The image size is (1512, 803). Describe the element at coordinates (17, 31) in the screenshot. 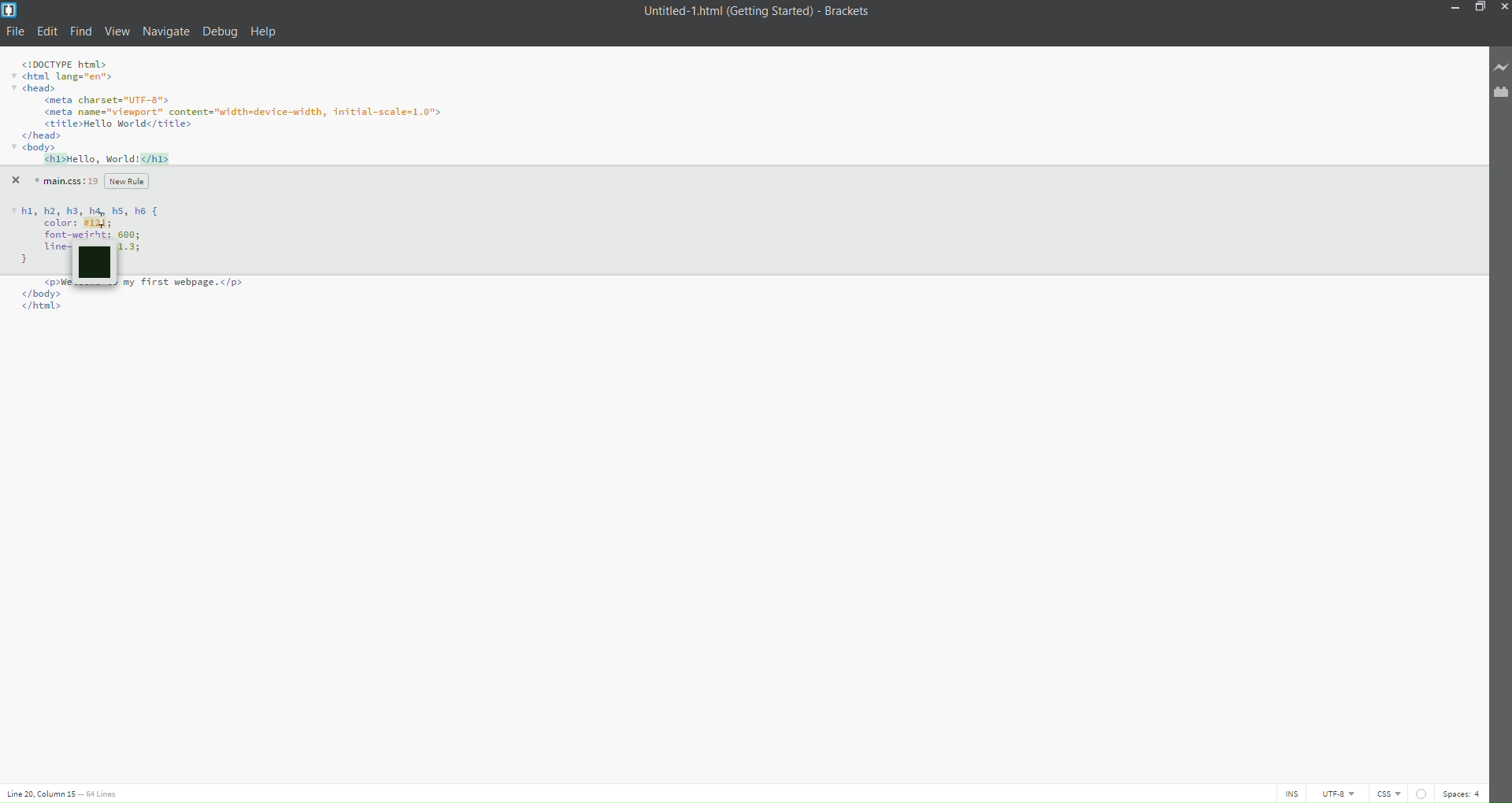

I see `file` at that location.